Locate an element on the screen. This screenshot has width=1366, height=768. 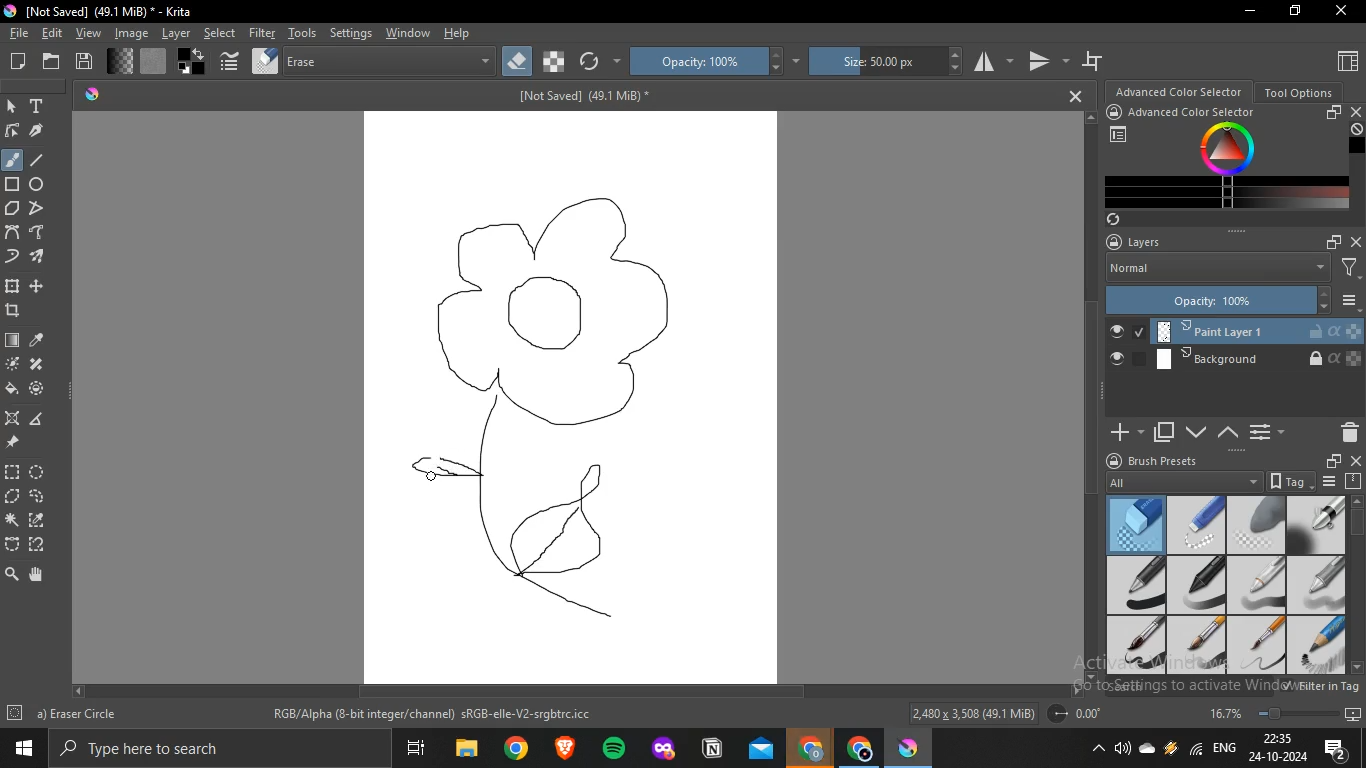
Krita logo is located at coordinates (91, 93).